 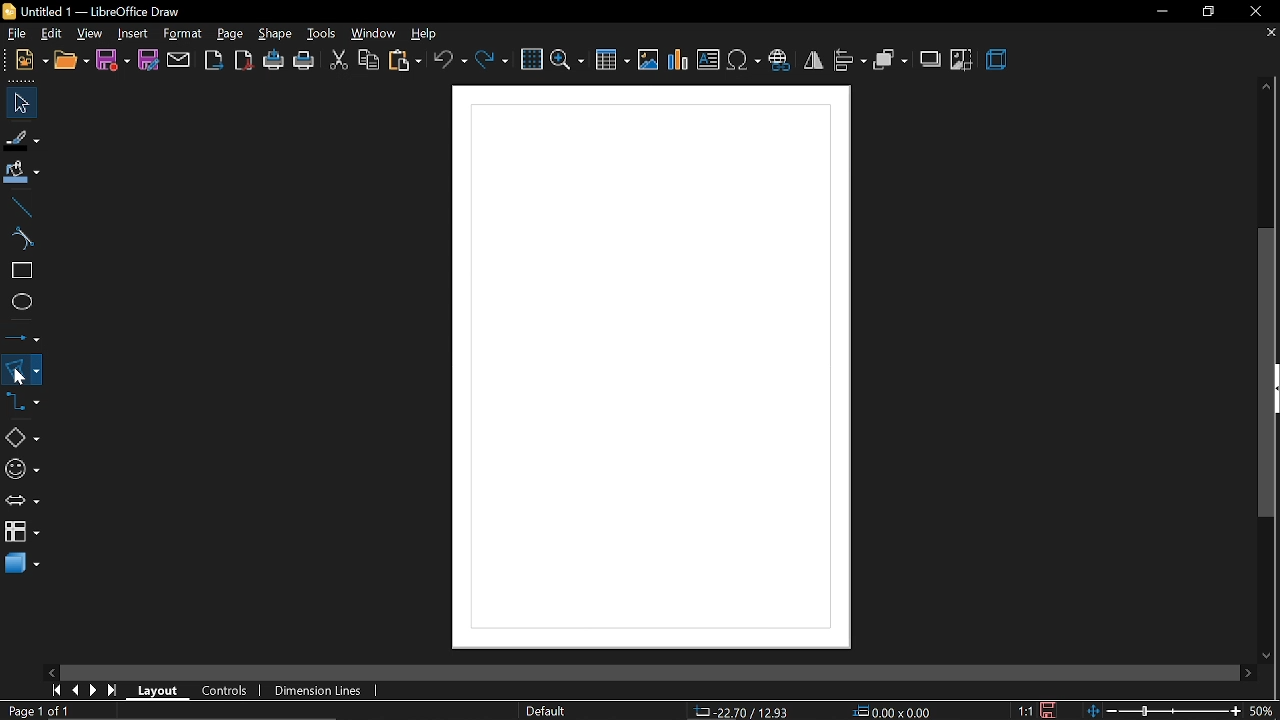 I want to click on copy, so click(x=366, y=60).